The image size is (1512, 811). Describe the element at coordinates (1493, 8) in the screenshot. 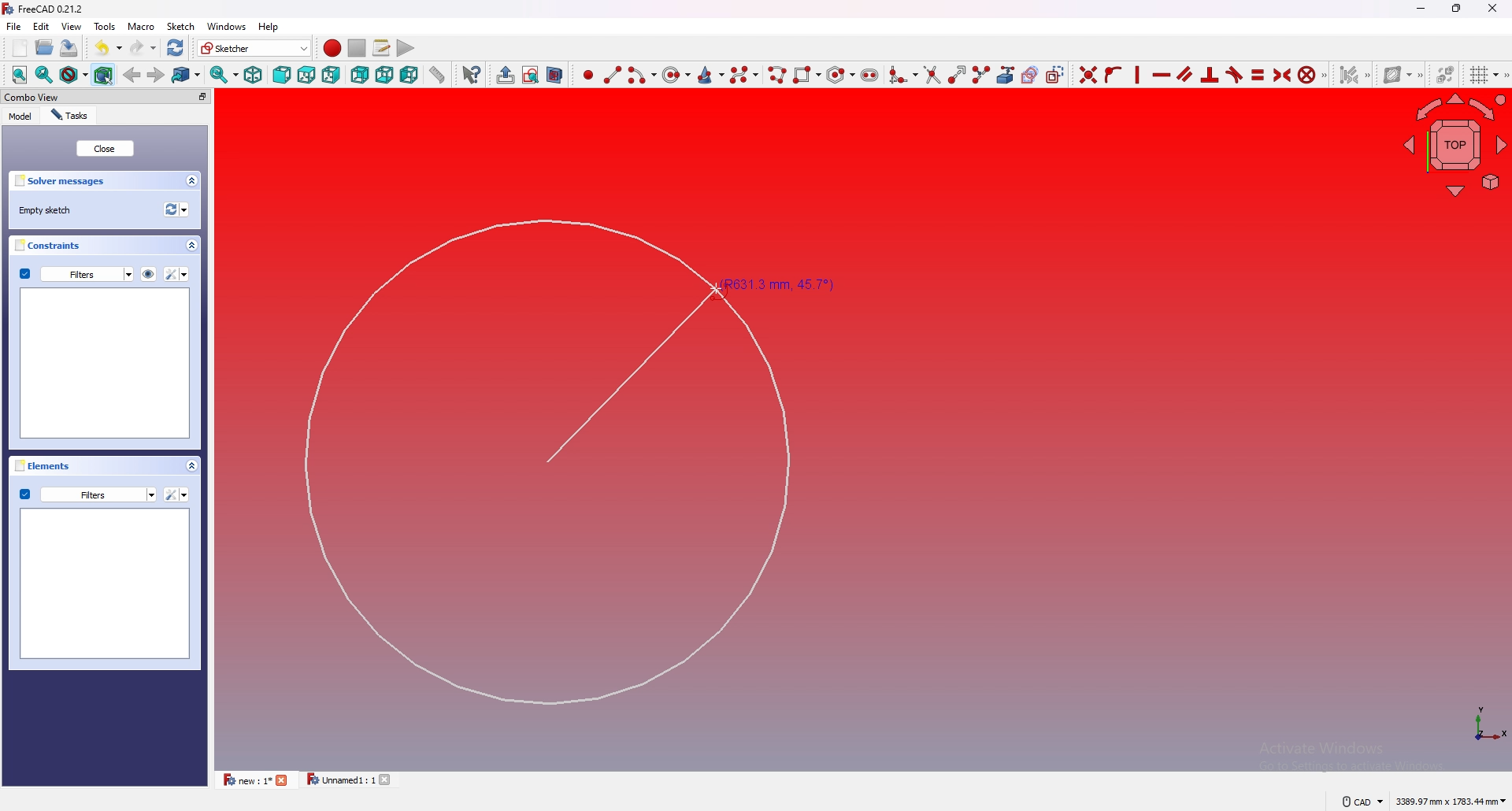

I see `close` at that location.